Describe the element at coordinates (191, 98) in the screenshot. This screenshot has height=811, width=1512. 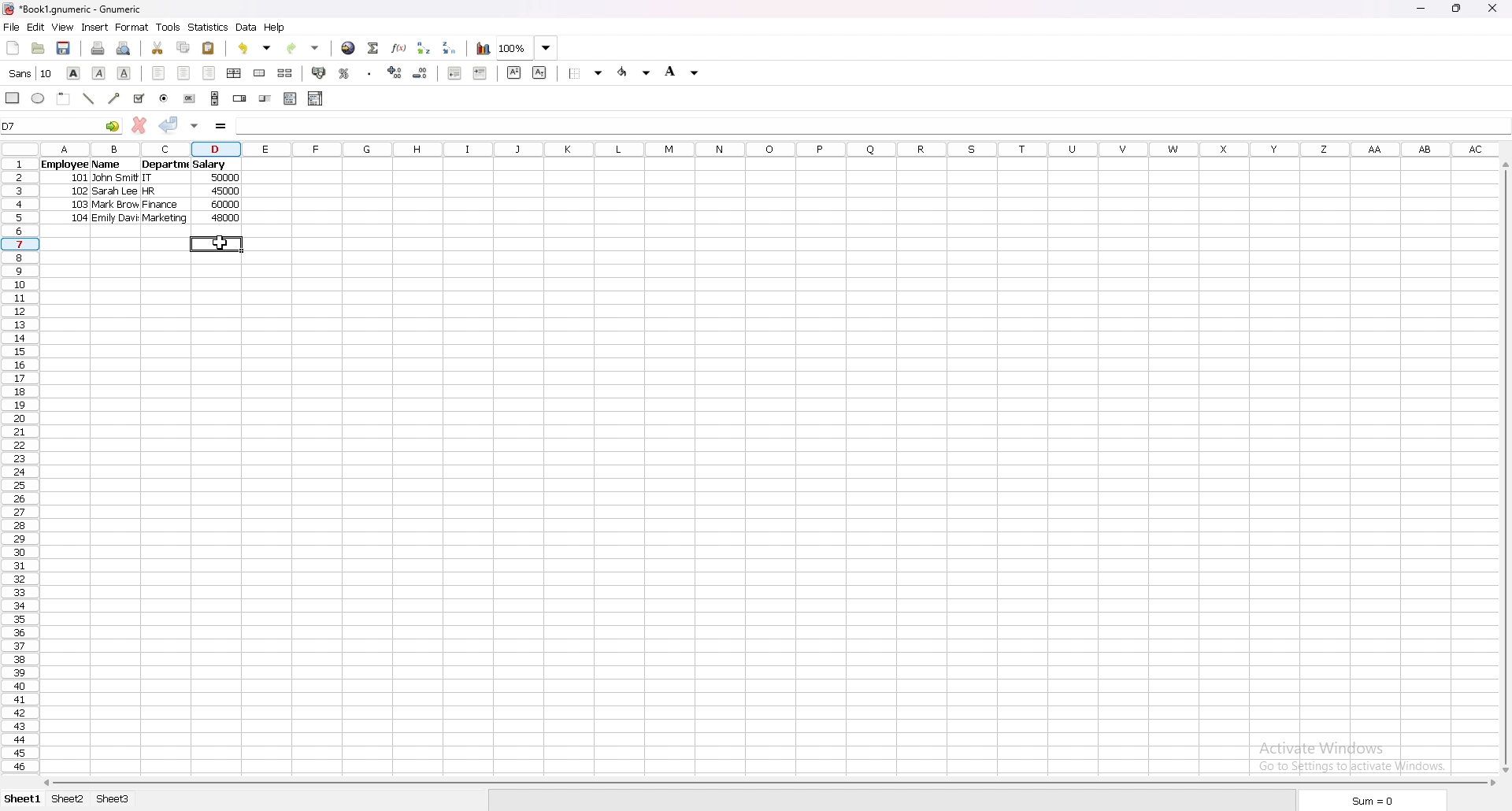
I see `button` at that location.